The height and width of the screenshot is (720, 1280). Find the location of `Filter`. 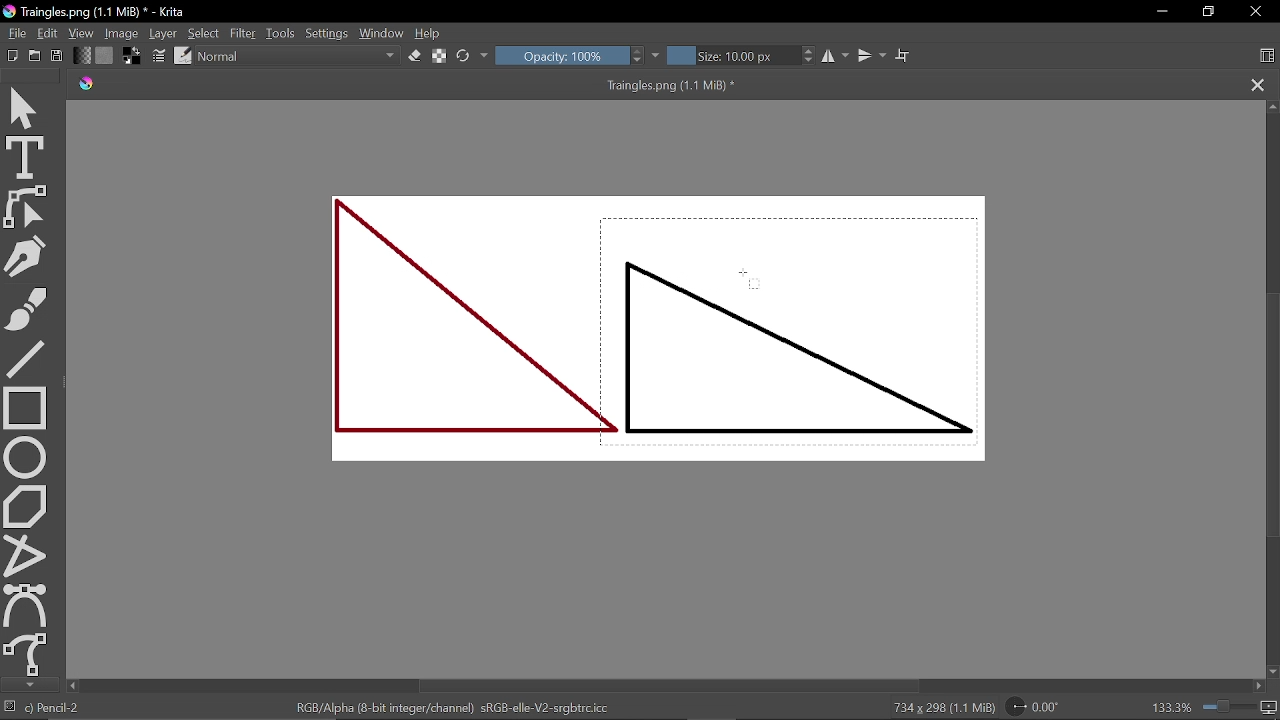

Filter is located at coordinates (245, 32).